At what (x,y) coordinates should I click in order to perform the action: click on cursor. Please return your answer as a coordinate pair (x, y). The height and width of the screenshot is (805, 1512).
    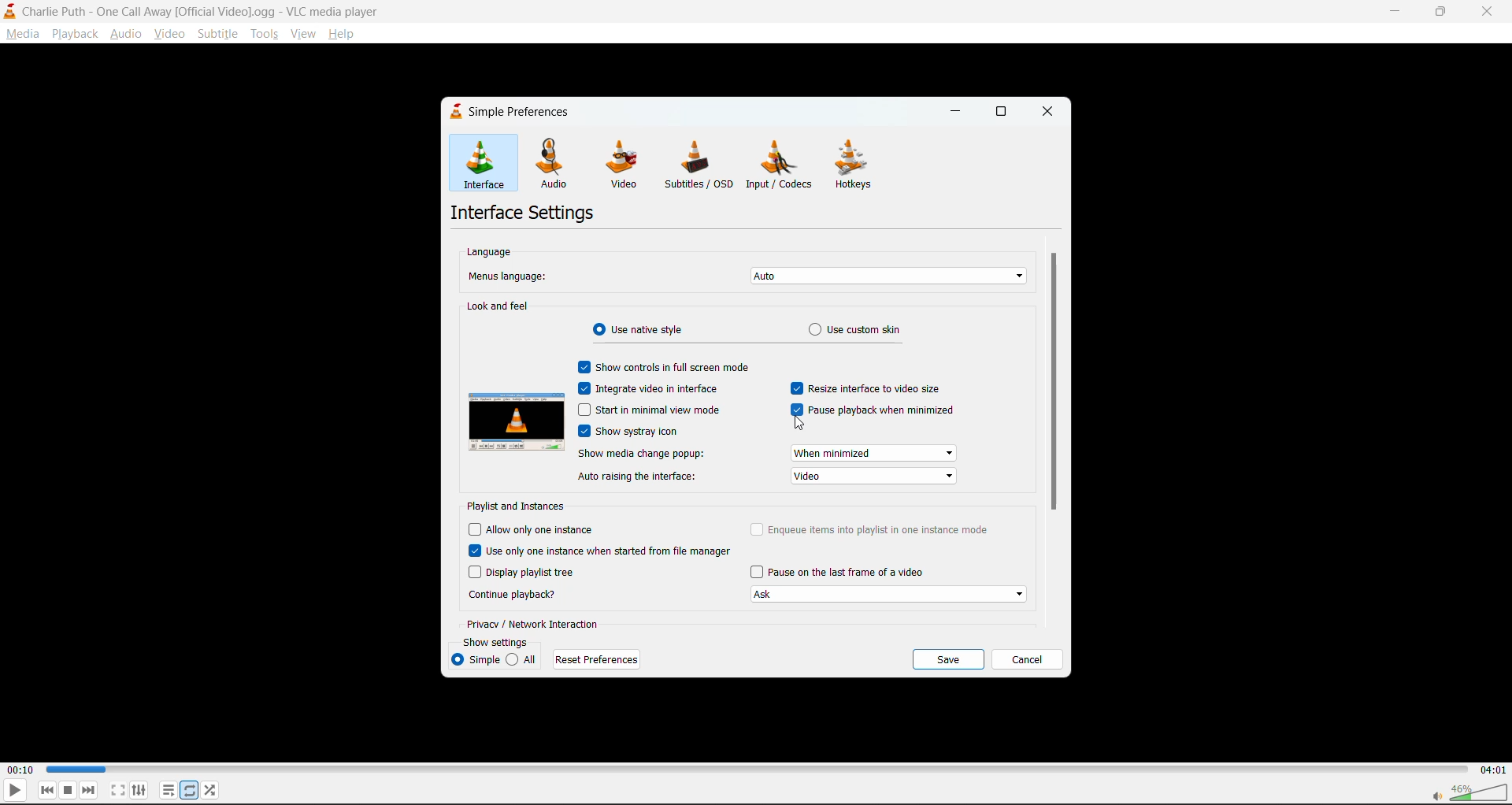
    Looking at the image, I should click on (799, 425).